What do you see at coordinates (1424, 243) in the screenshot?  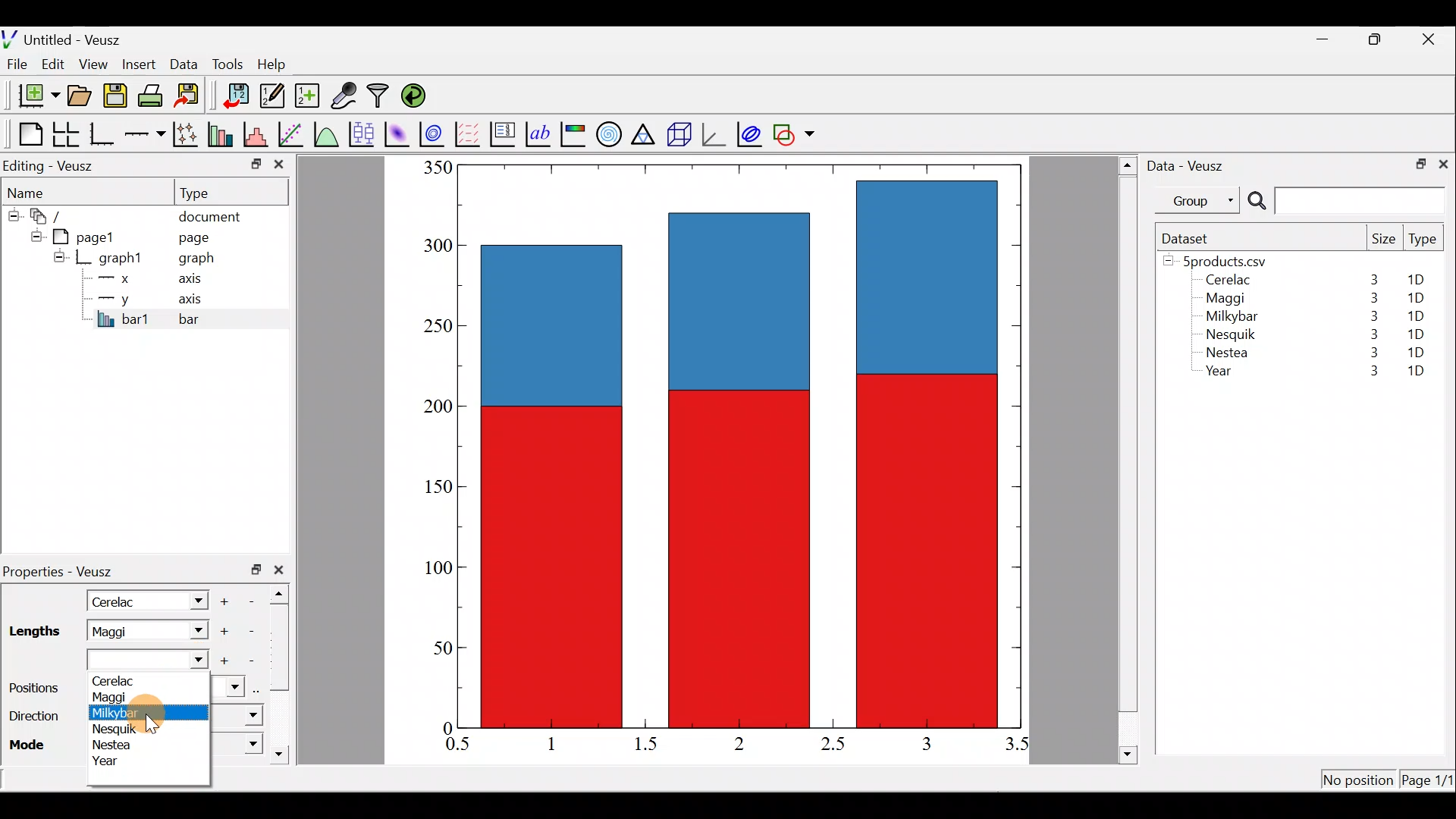 I see `Type` at bounding box center [1424, 243].